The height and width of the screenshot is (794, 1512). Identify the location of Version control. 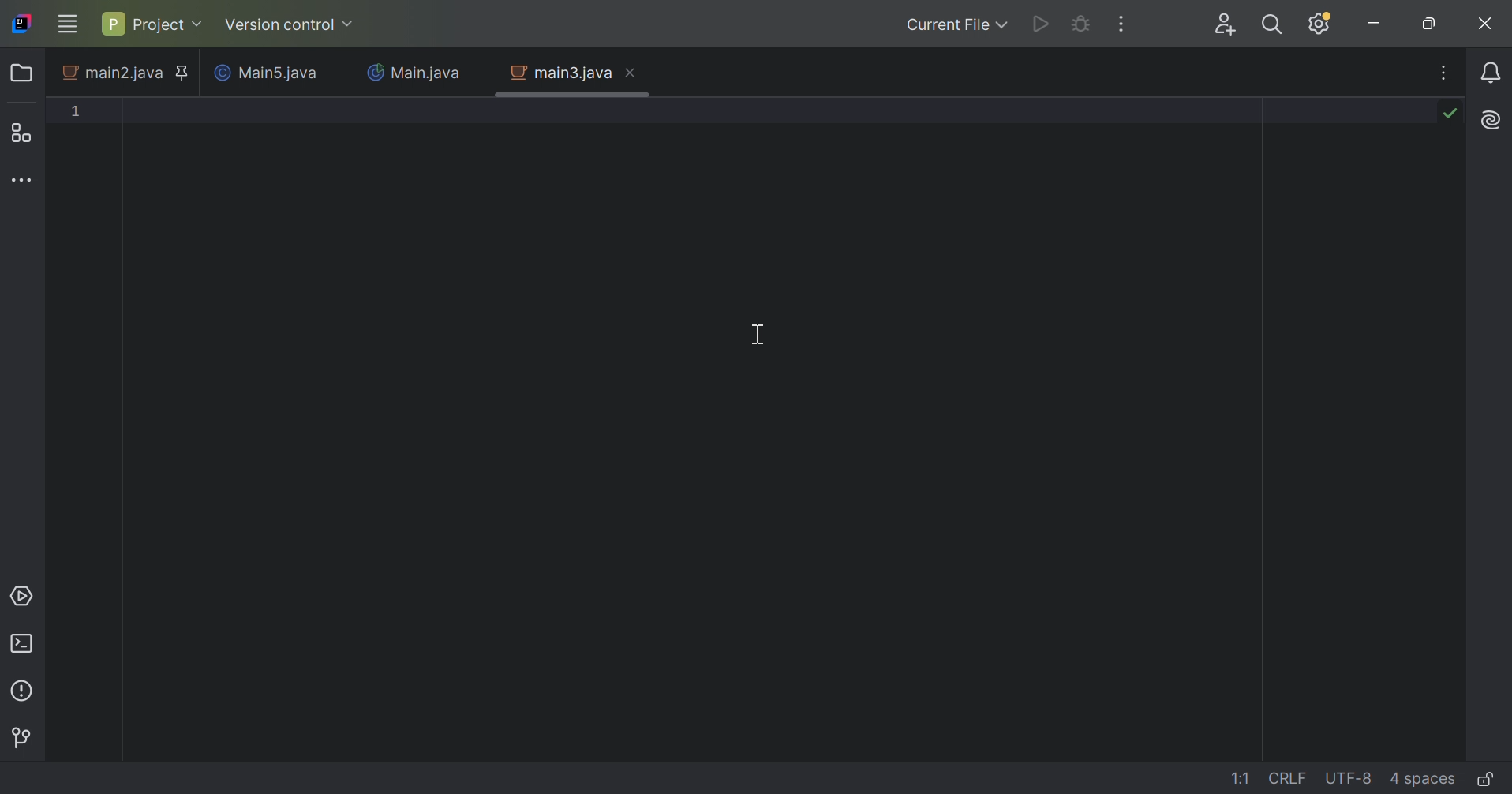
(19, 737).